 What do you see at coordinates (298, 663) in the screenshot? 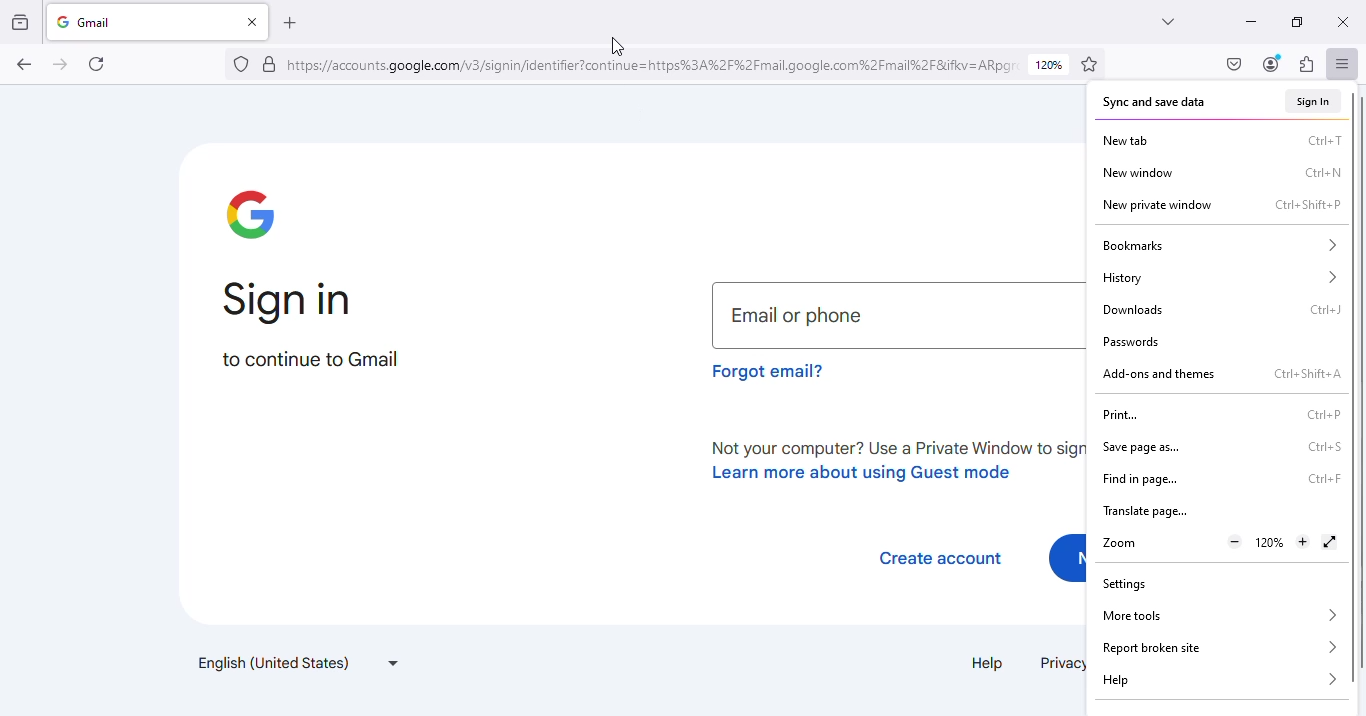
I see `language` at bounding box center [298, 663].